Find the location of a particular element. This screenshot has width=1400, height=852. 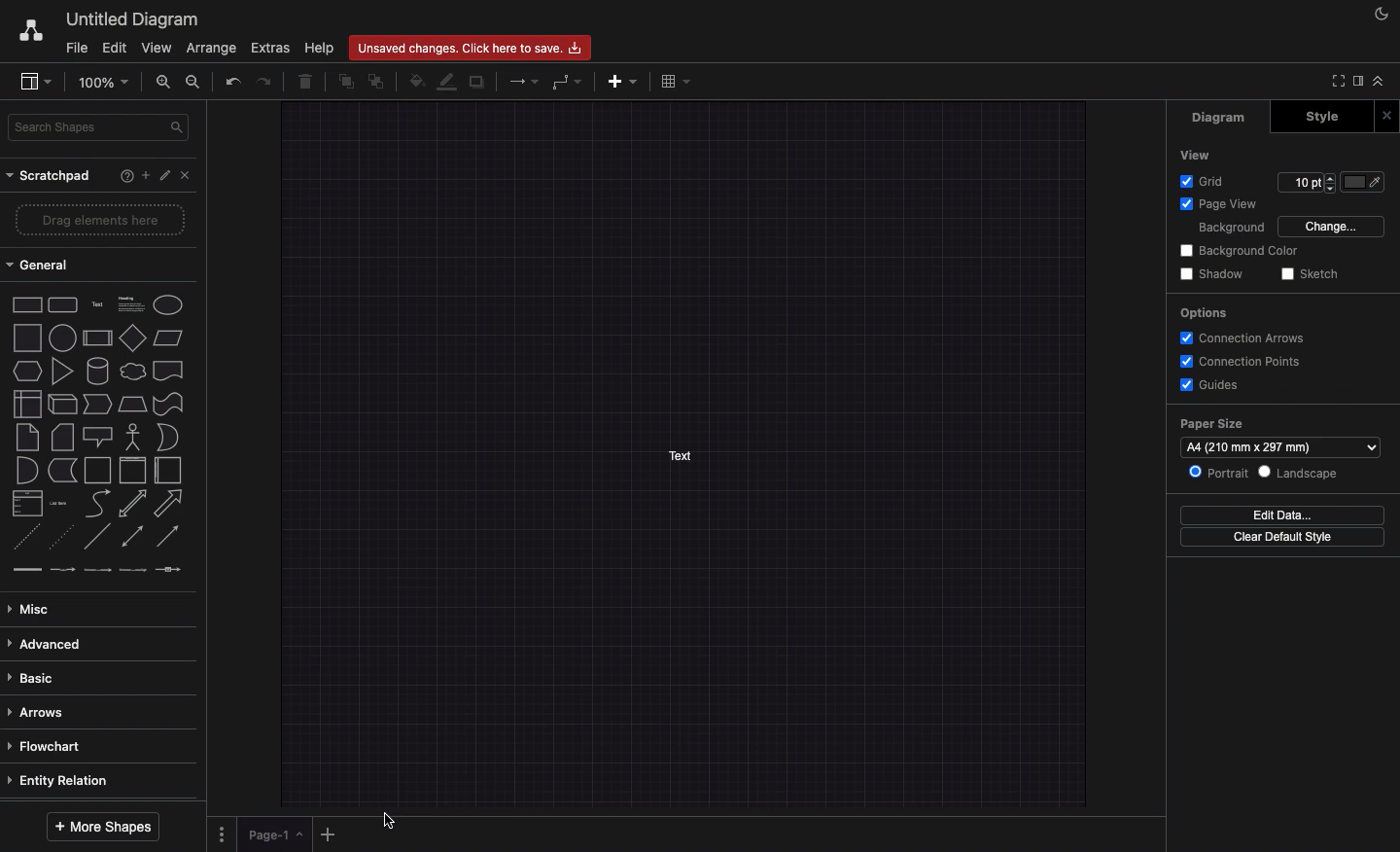

View is located at coordinates (1197, 155).